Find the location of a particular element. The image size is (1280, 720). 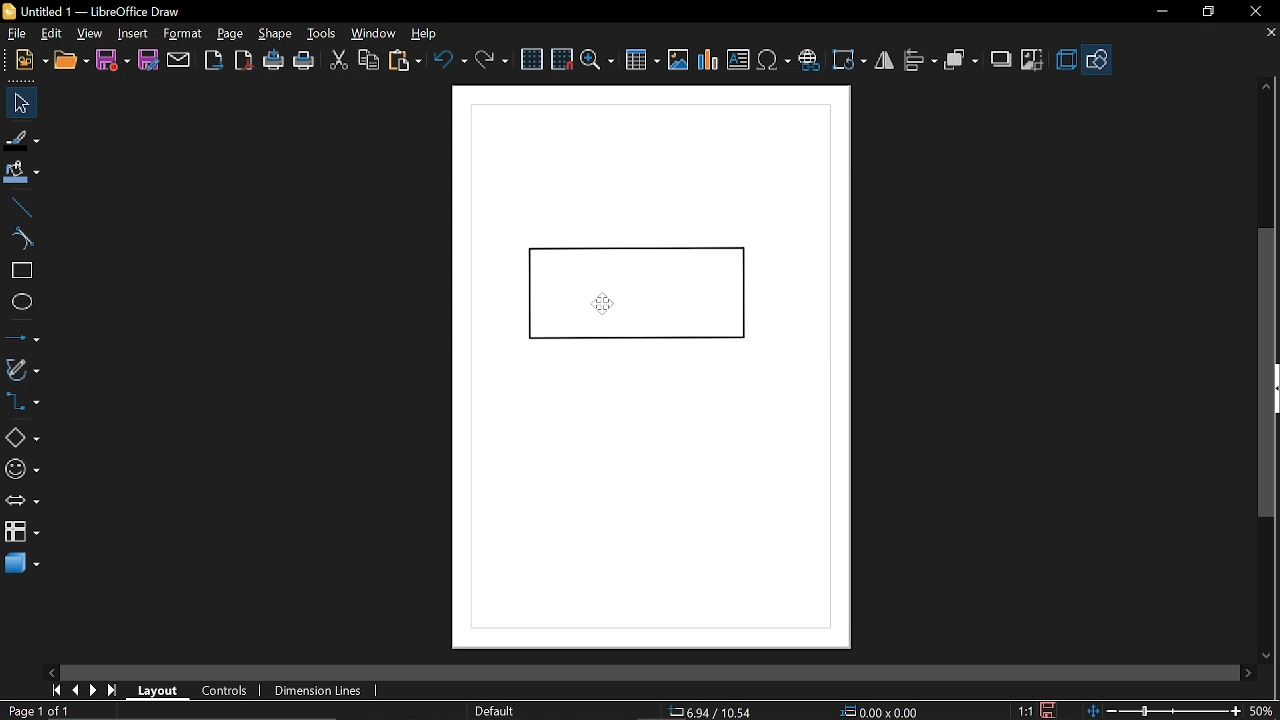

Move down is located at coordinates (1267, 652).